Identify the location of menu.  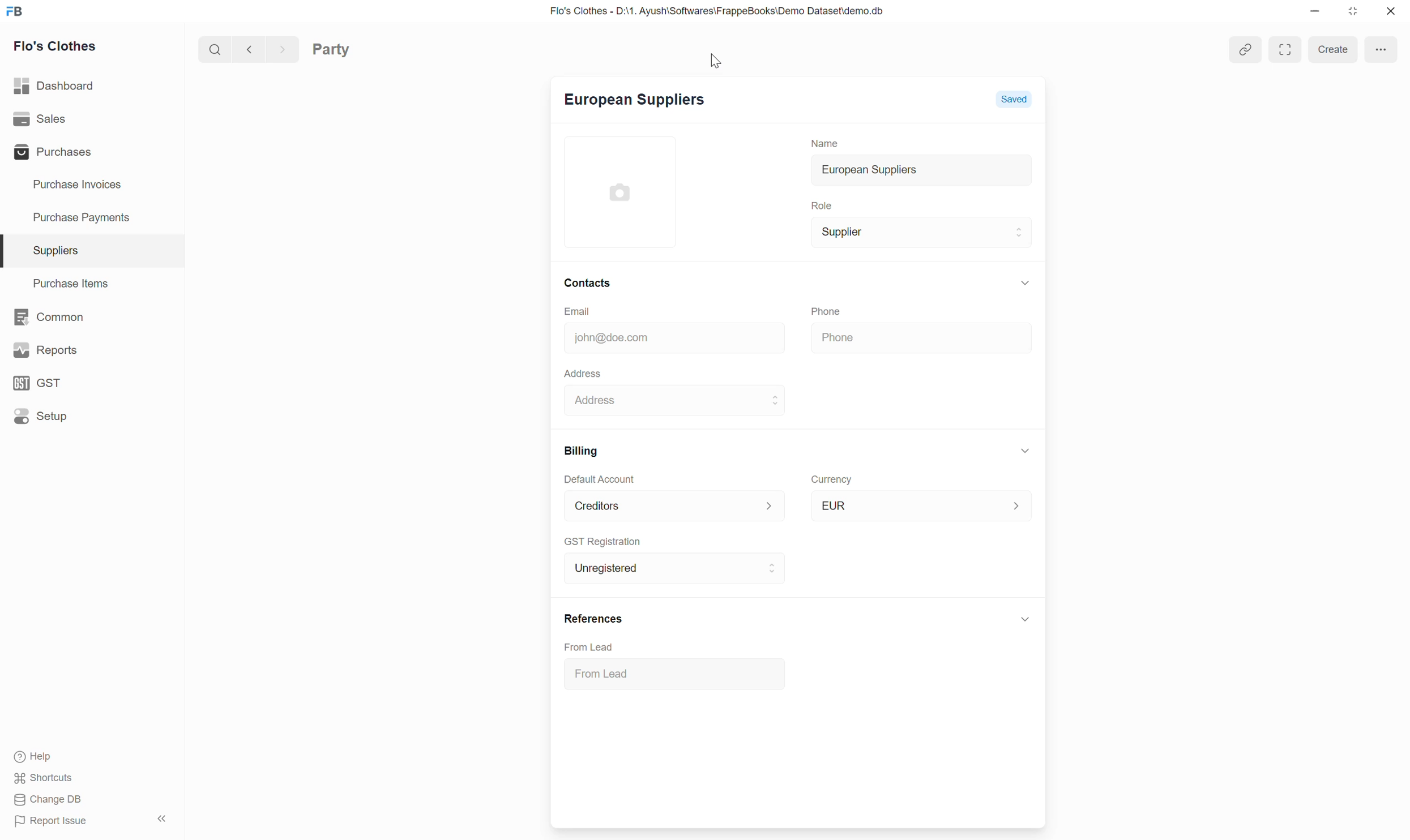
(1381, 47).